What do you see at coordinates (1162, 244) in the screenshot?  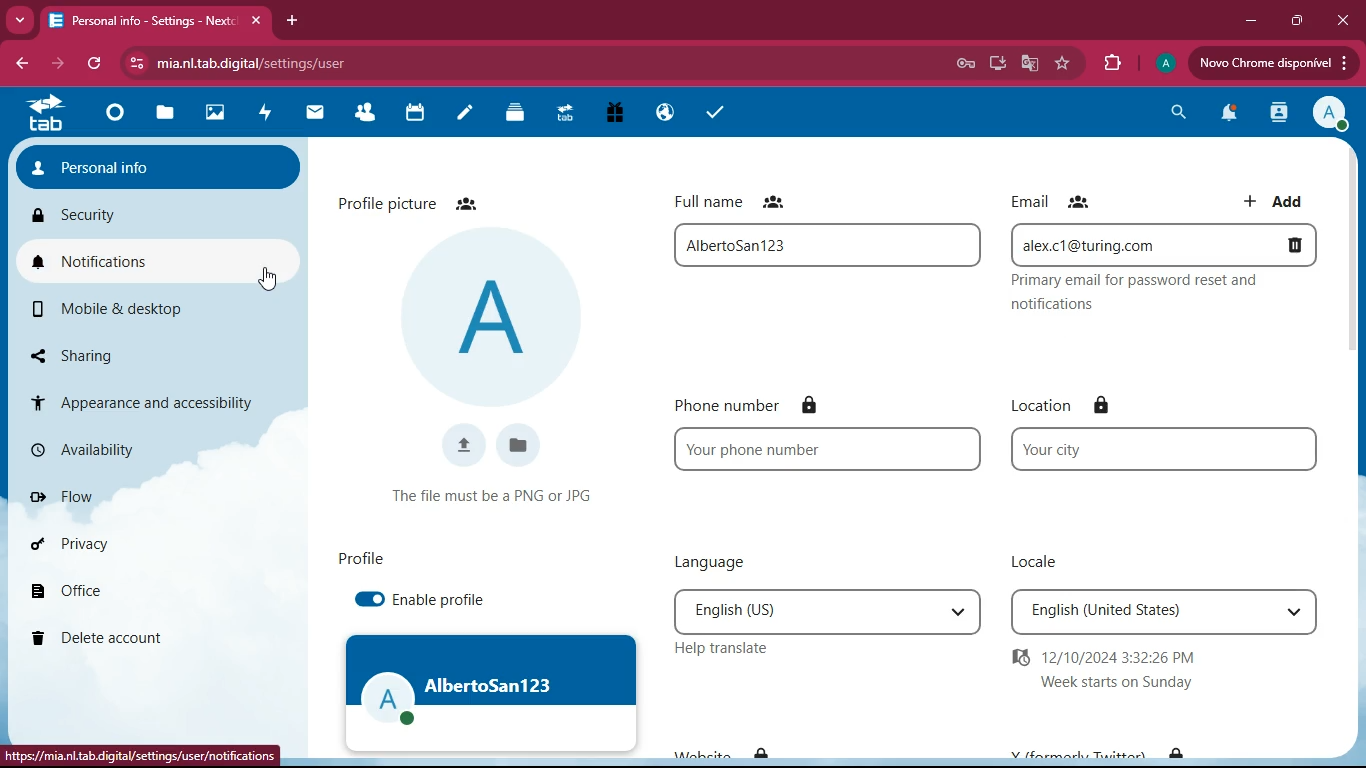 I see `email` at bounding box center [1162, 244].